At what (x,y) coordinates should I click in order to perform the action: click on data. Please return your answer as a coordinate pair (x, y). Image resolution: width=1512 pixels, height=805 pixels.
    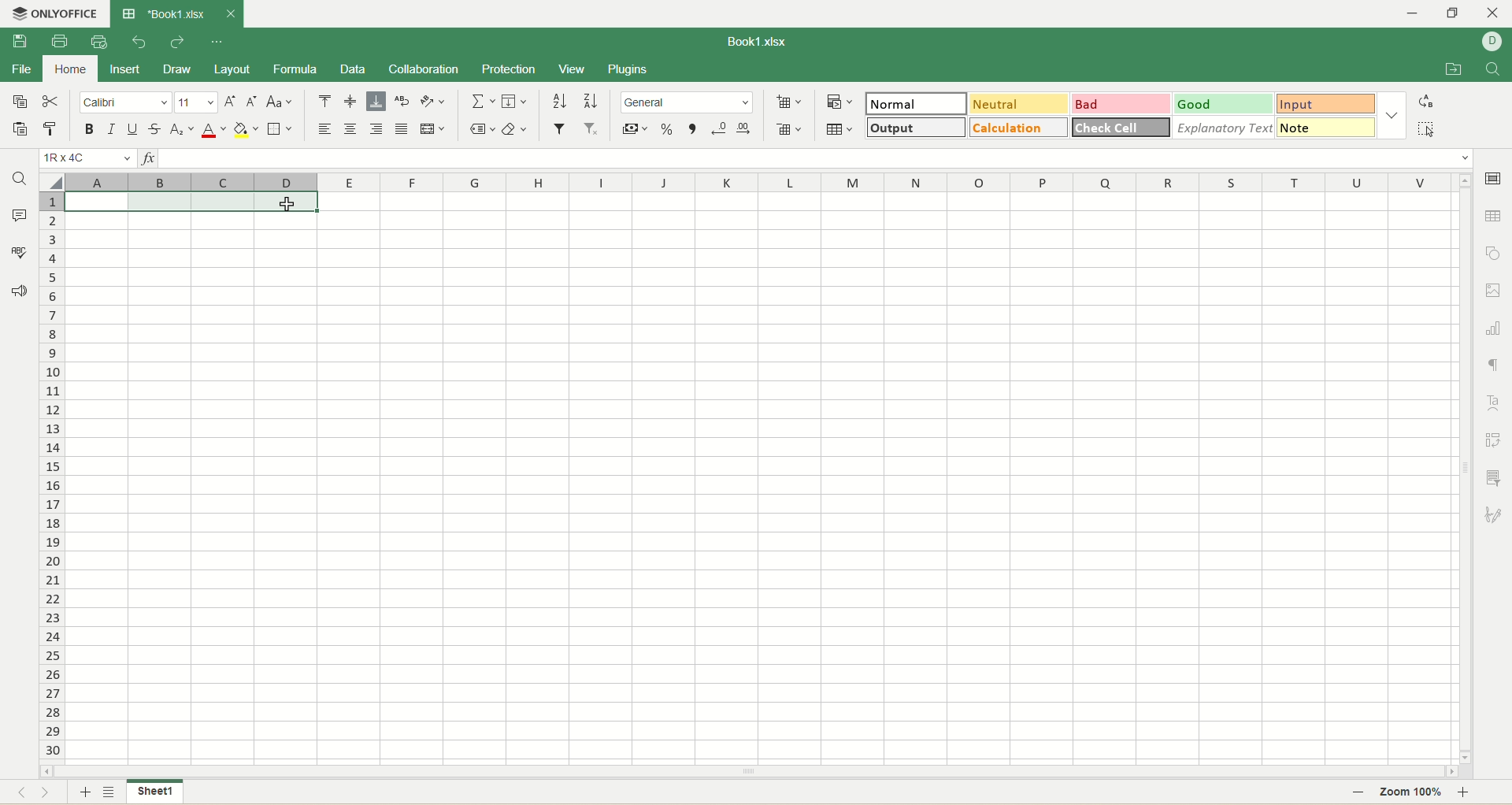
    Looking at the image, I should click on (351, 71).